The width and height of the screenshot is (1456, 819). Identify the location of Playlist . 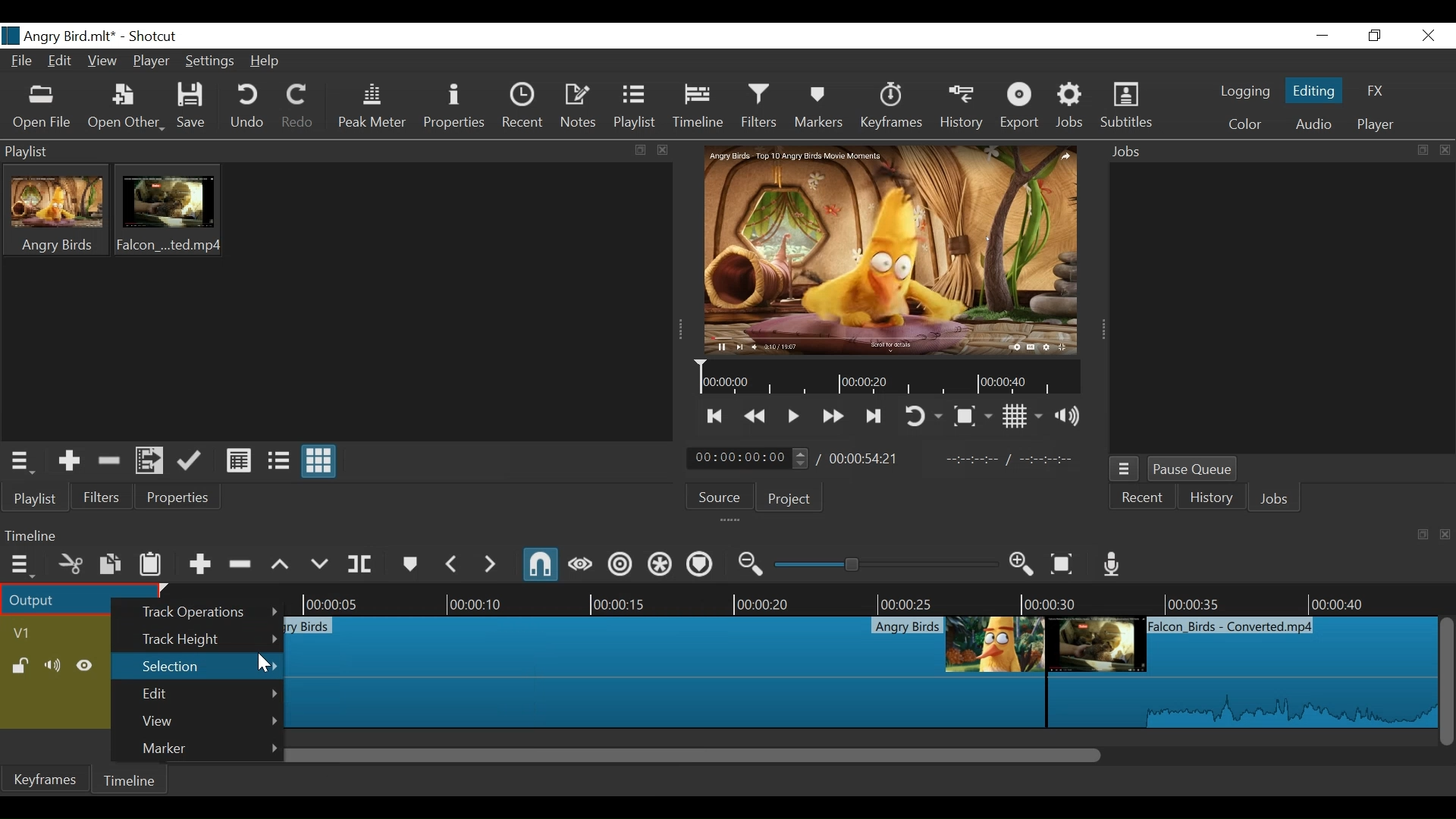
(36, 497).